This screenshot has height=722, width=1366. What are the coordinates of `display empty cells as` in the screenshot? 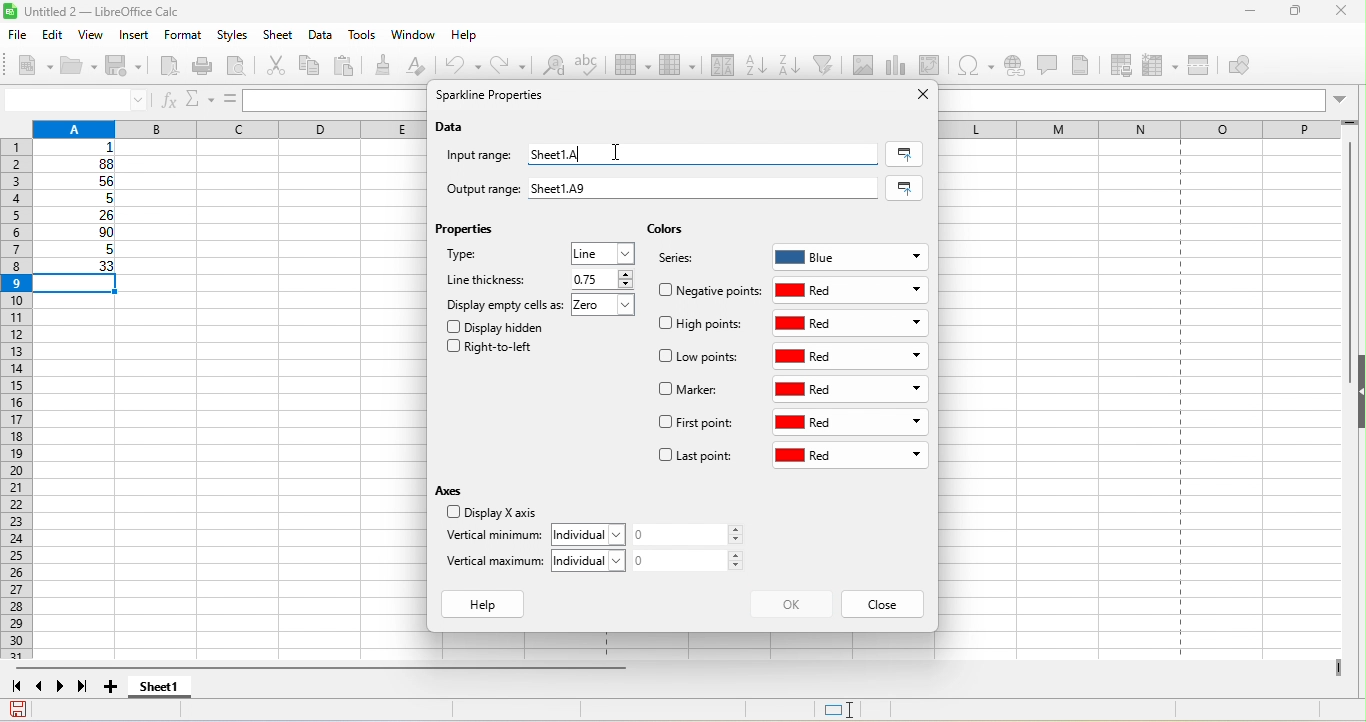 It's located at (505, 304).